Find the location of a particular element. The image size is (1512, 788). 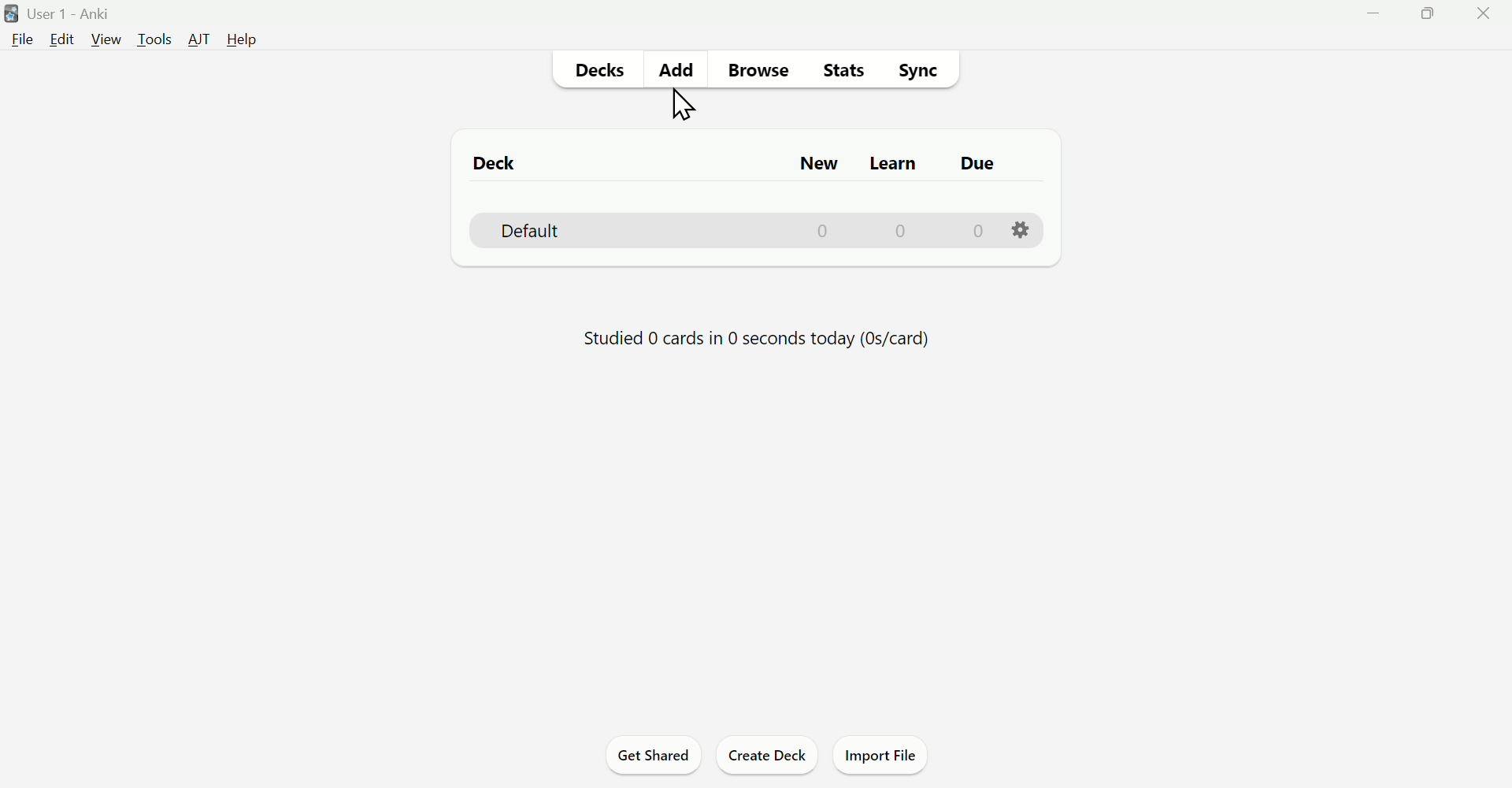

0 is located at coordinates (822, 231).